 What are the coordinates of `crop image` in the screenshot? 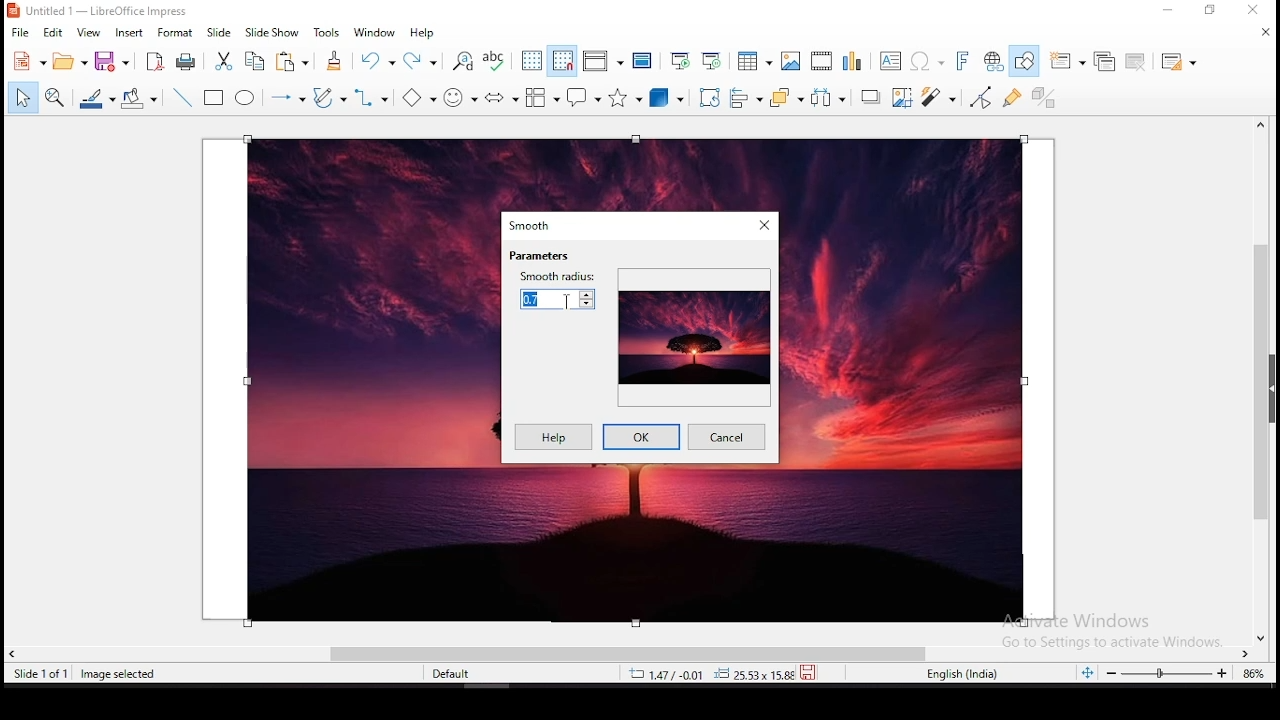 It's located at (904, 98).